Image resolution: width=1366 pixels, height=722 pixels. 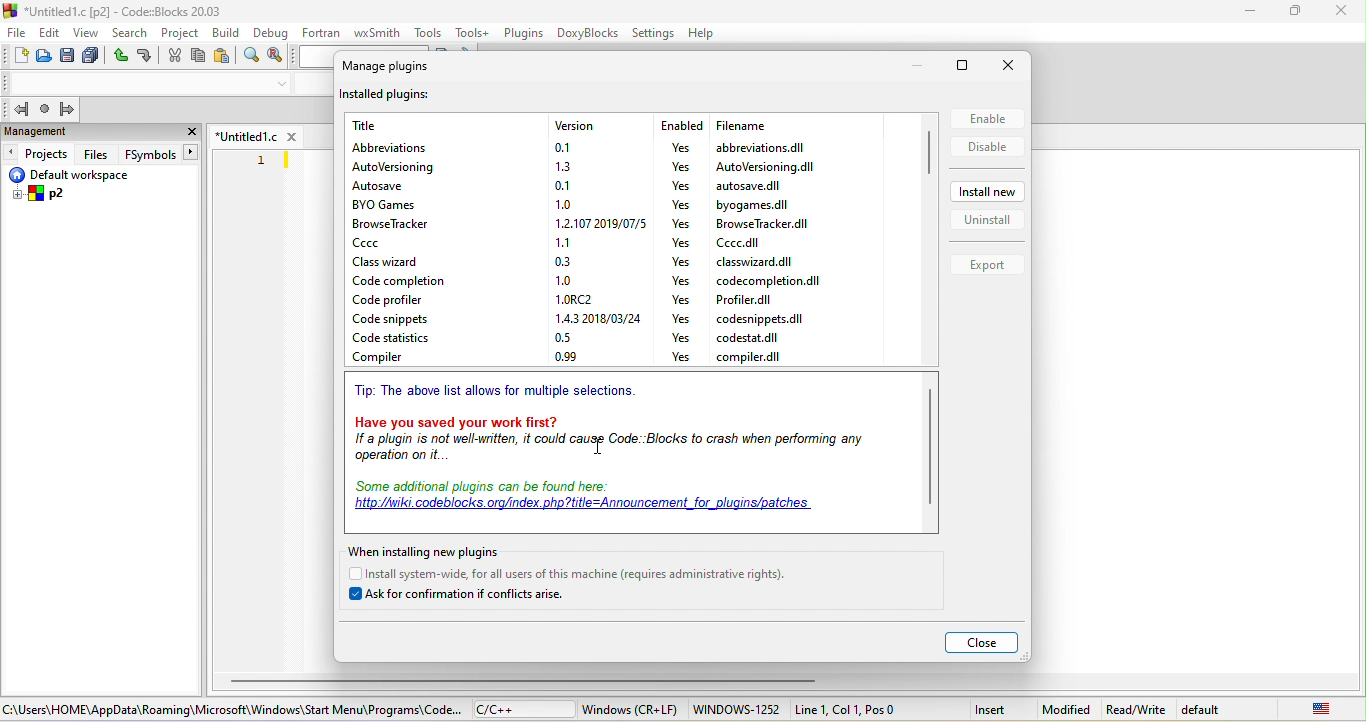 What do you see at coordinates (654, 34) in the screenshot?
I see `settings` at bounding box center [654, 34].